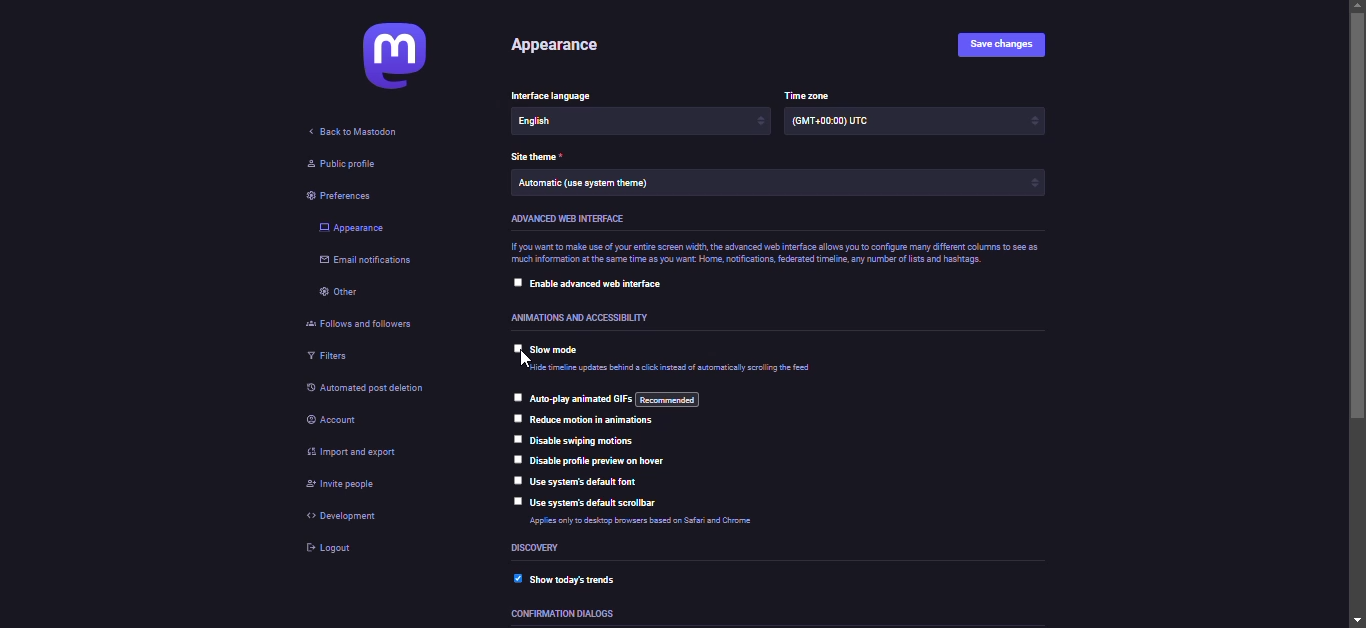 This screenshot has width=1366, height=628. I want to click on reduce motion in animations, so click(594, 421).